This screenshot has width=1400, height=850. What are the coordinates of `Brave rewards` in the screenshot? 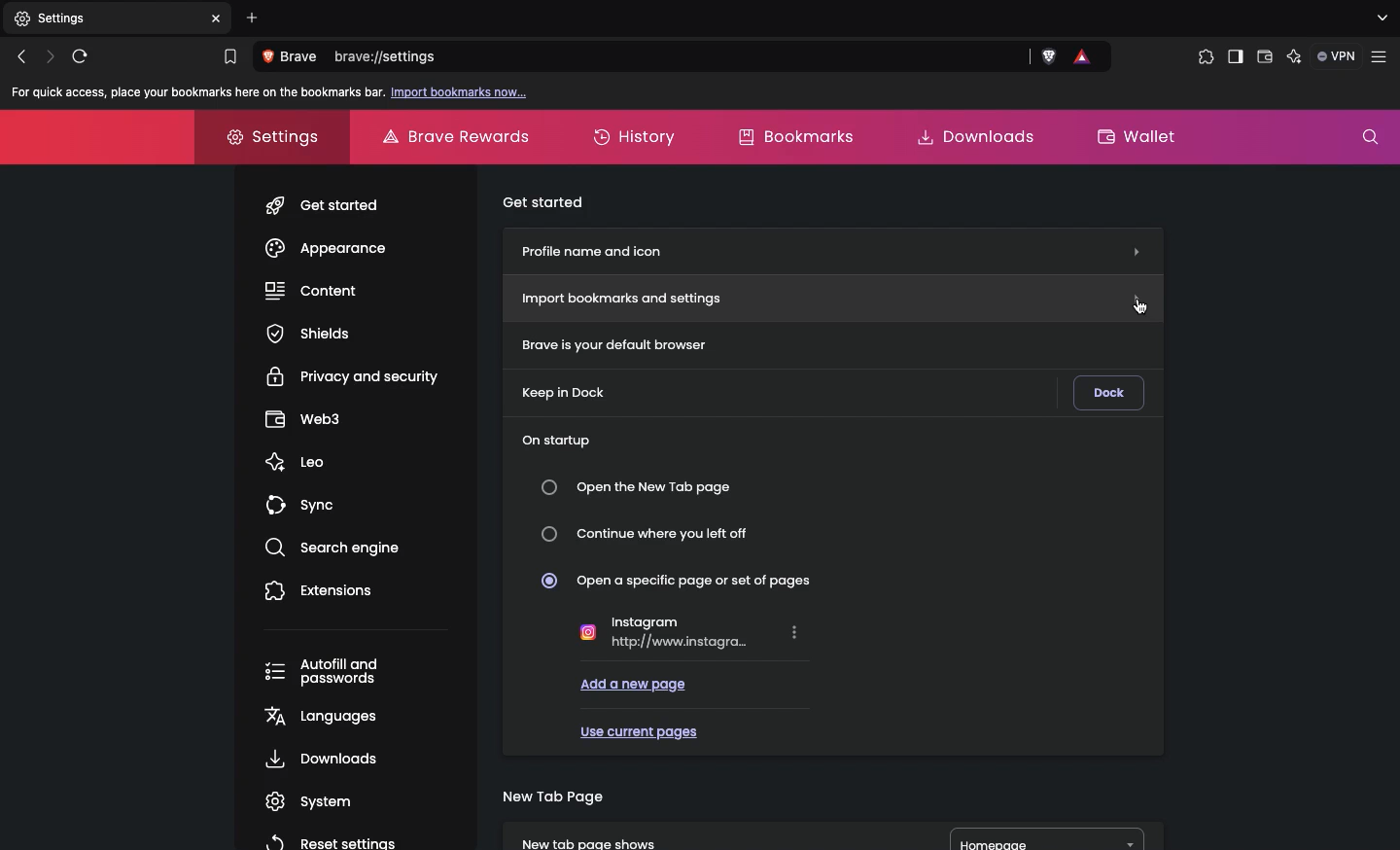 It's located at (459, 136).